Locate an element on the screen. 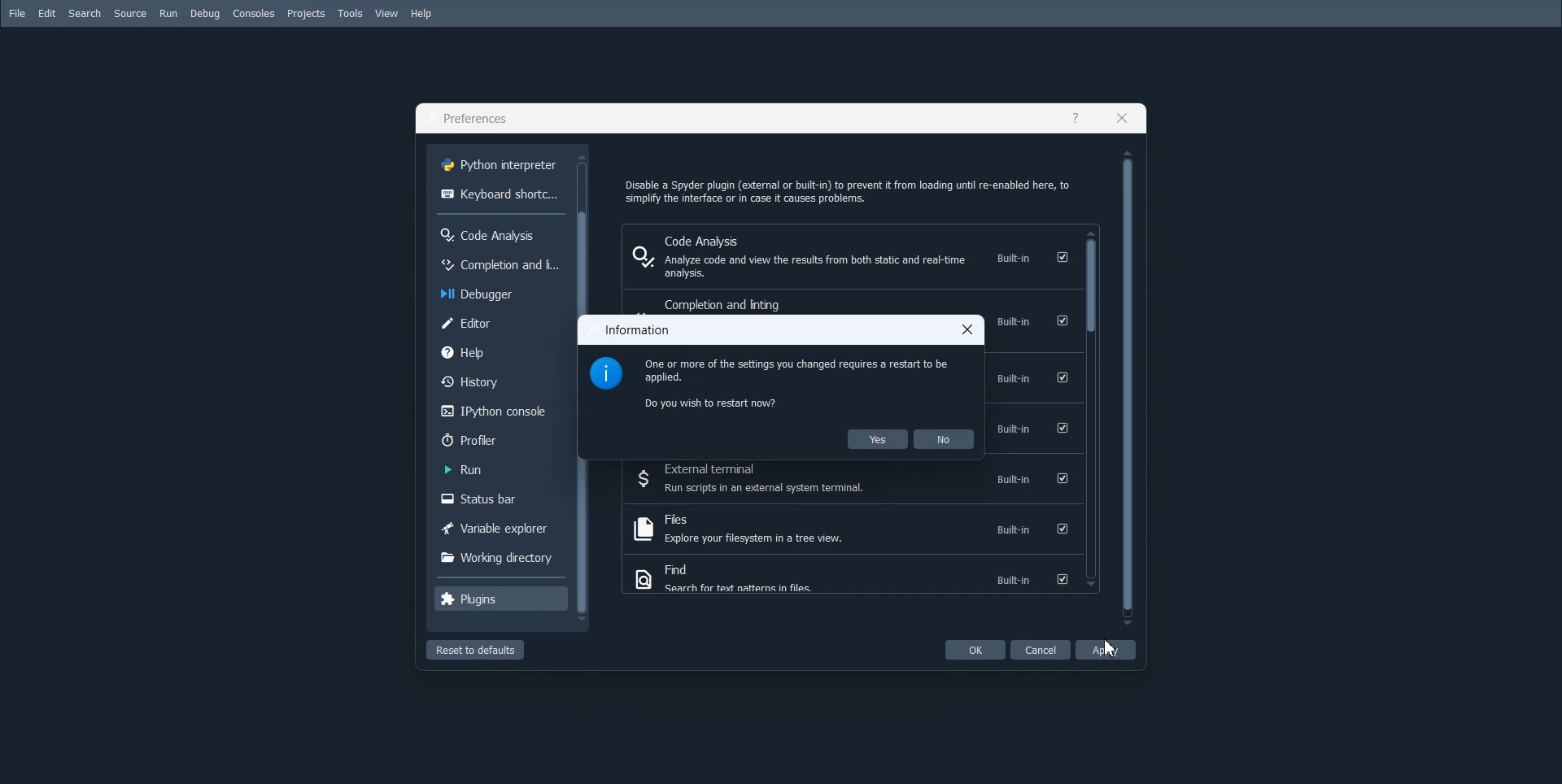 The width and height of the screenshot is (1562, 784). Run is located at coordinates (168, 14).